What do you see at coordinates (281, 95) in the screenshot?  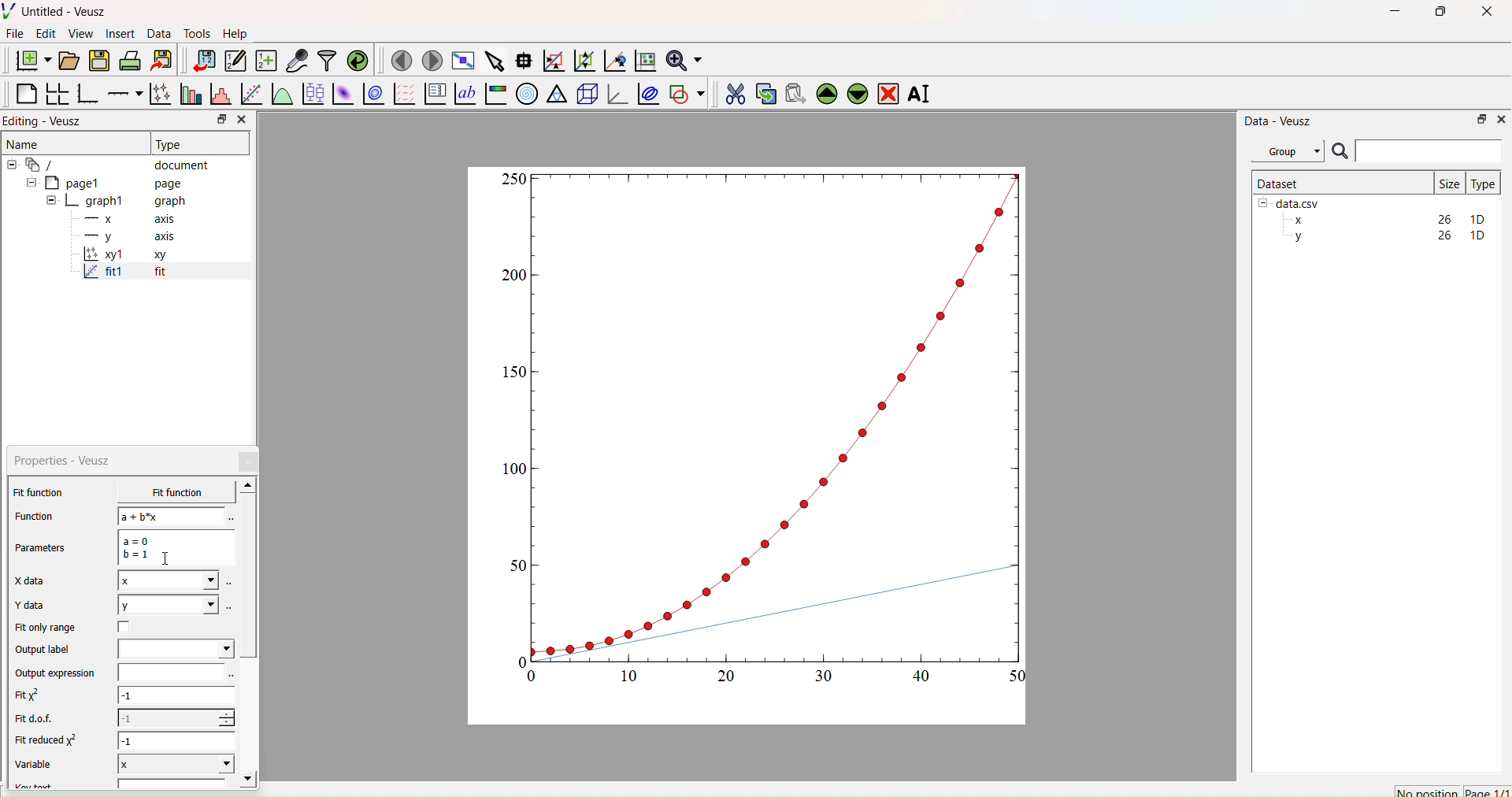 I see `Plot a function` at bounding box center [281, 95].